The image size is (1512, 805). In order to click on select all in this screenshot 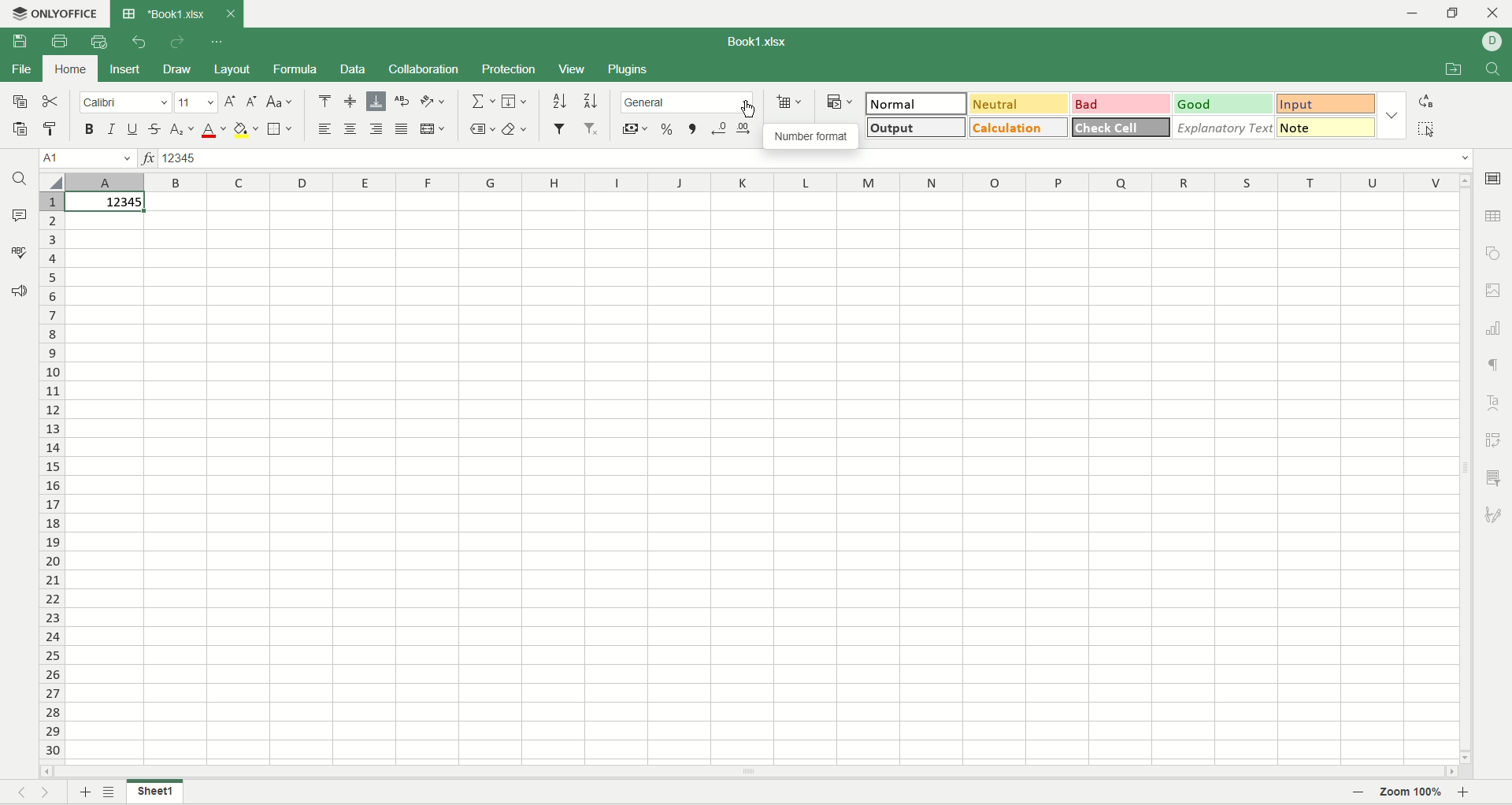, I will do `click(54, 184)`.